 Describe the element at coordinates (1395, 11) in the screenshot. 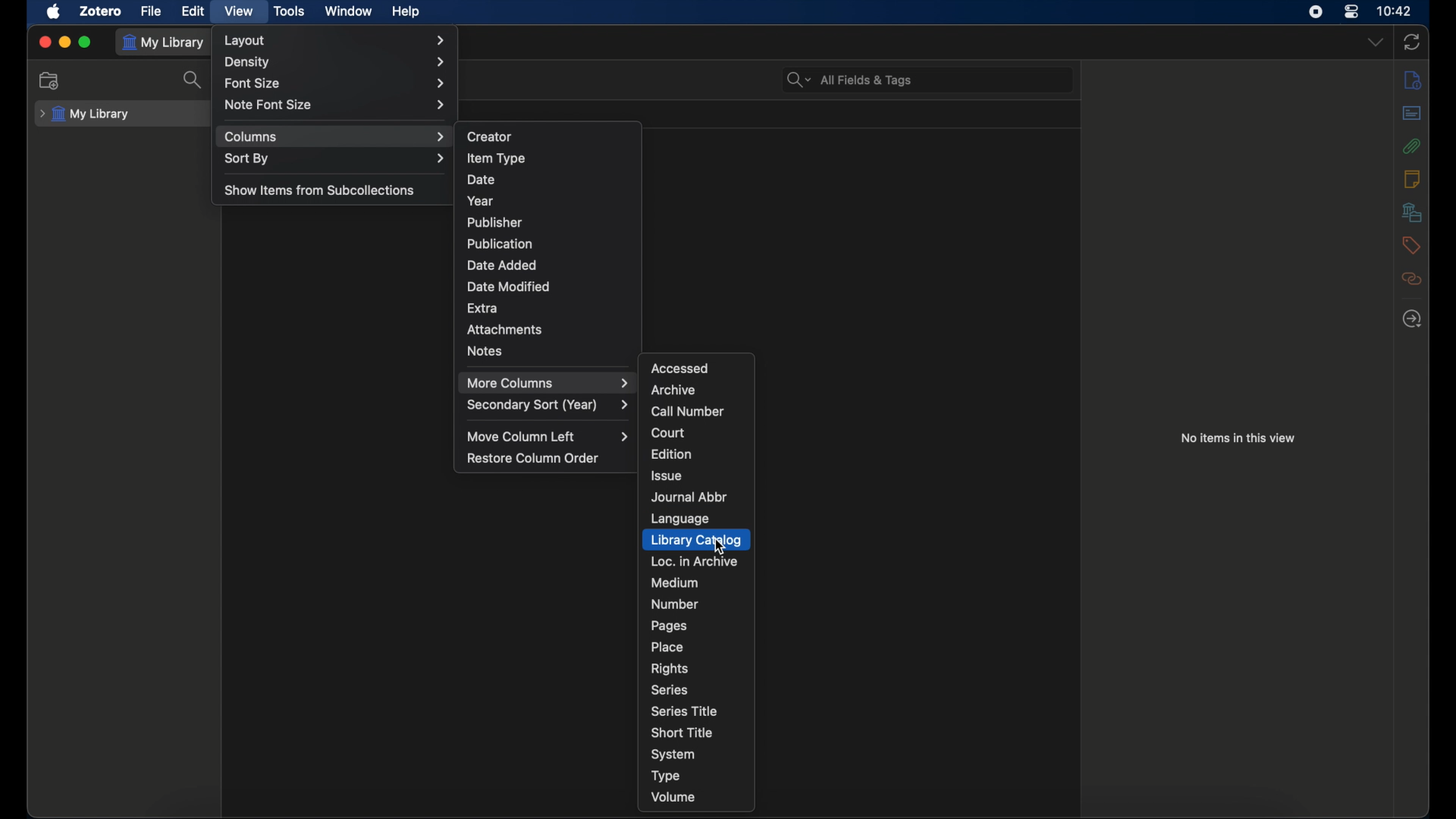

I see `time` at that location.